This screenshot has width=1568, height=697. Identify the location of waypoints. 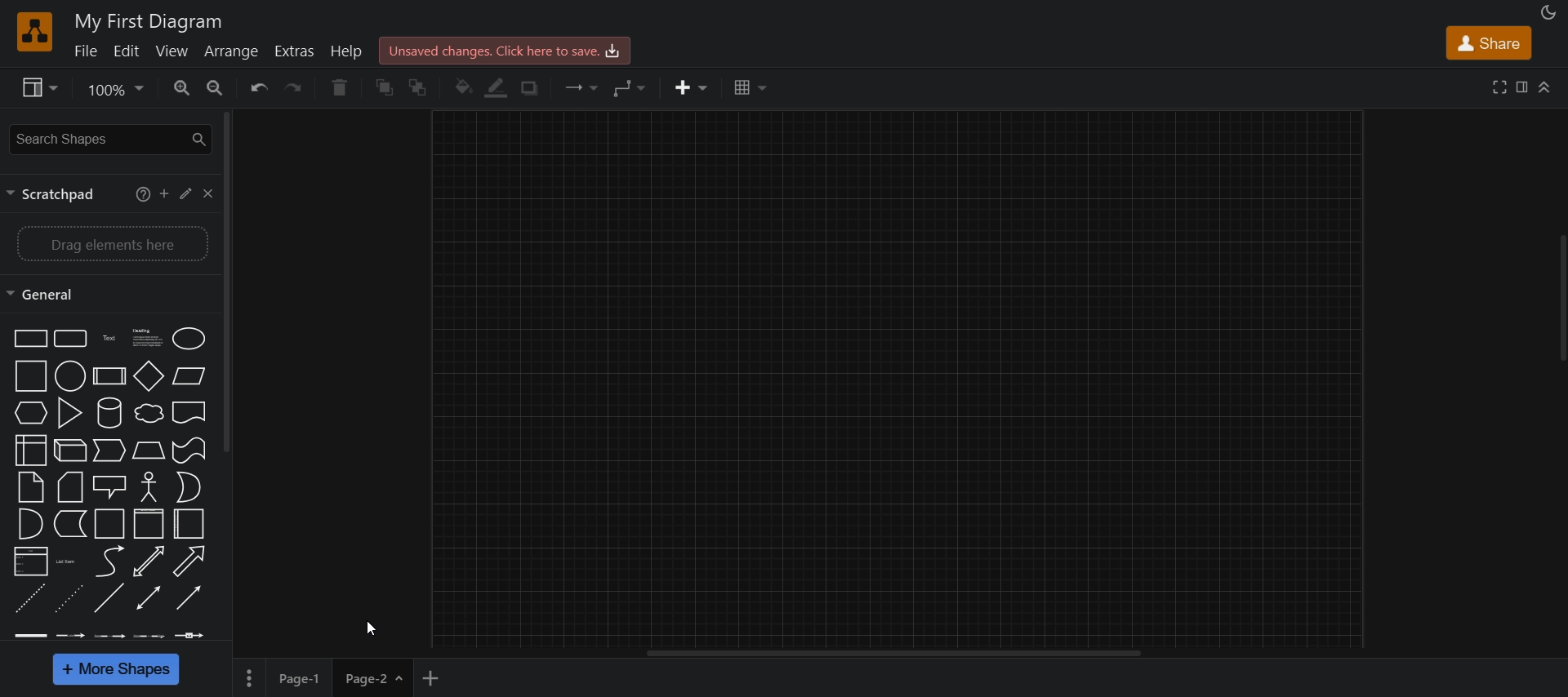
(632, 88).